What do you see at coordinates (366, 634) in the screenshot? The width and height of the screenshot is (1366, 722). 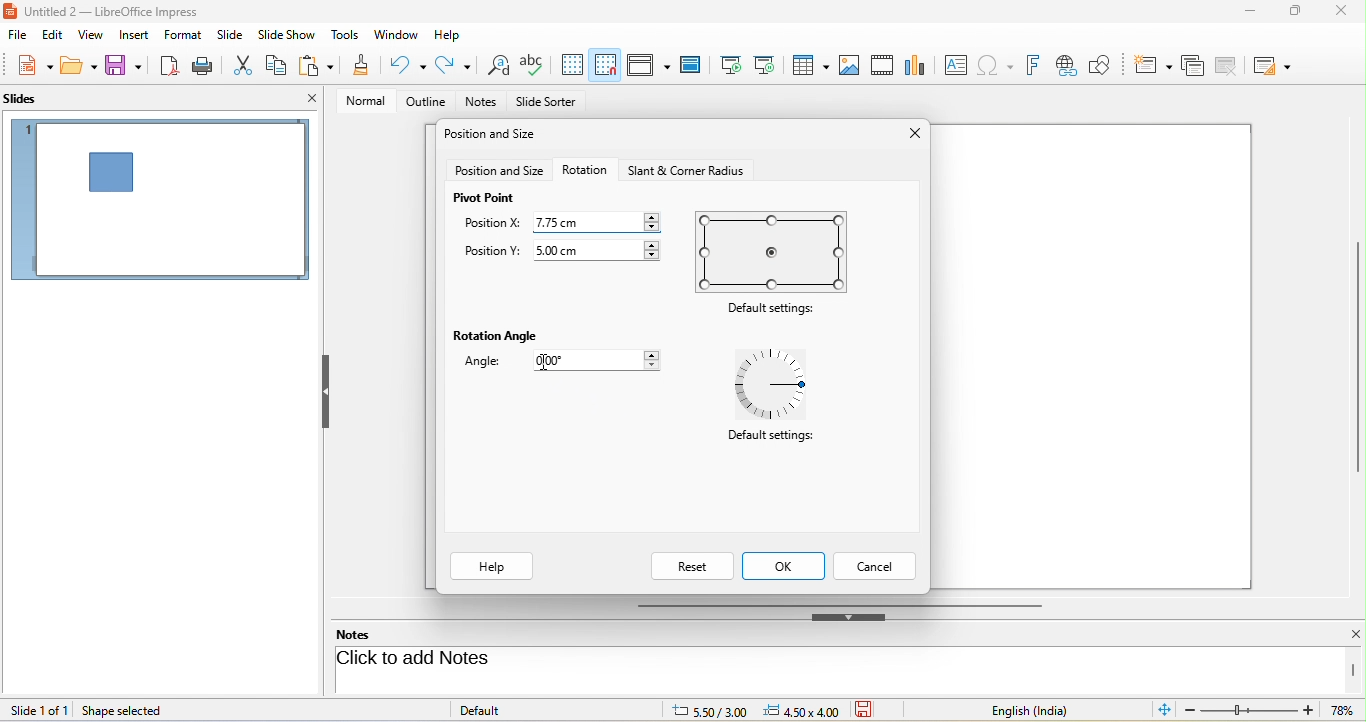 I see `notes` at bounding box center [366, 634].